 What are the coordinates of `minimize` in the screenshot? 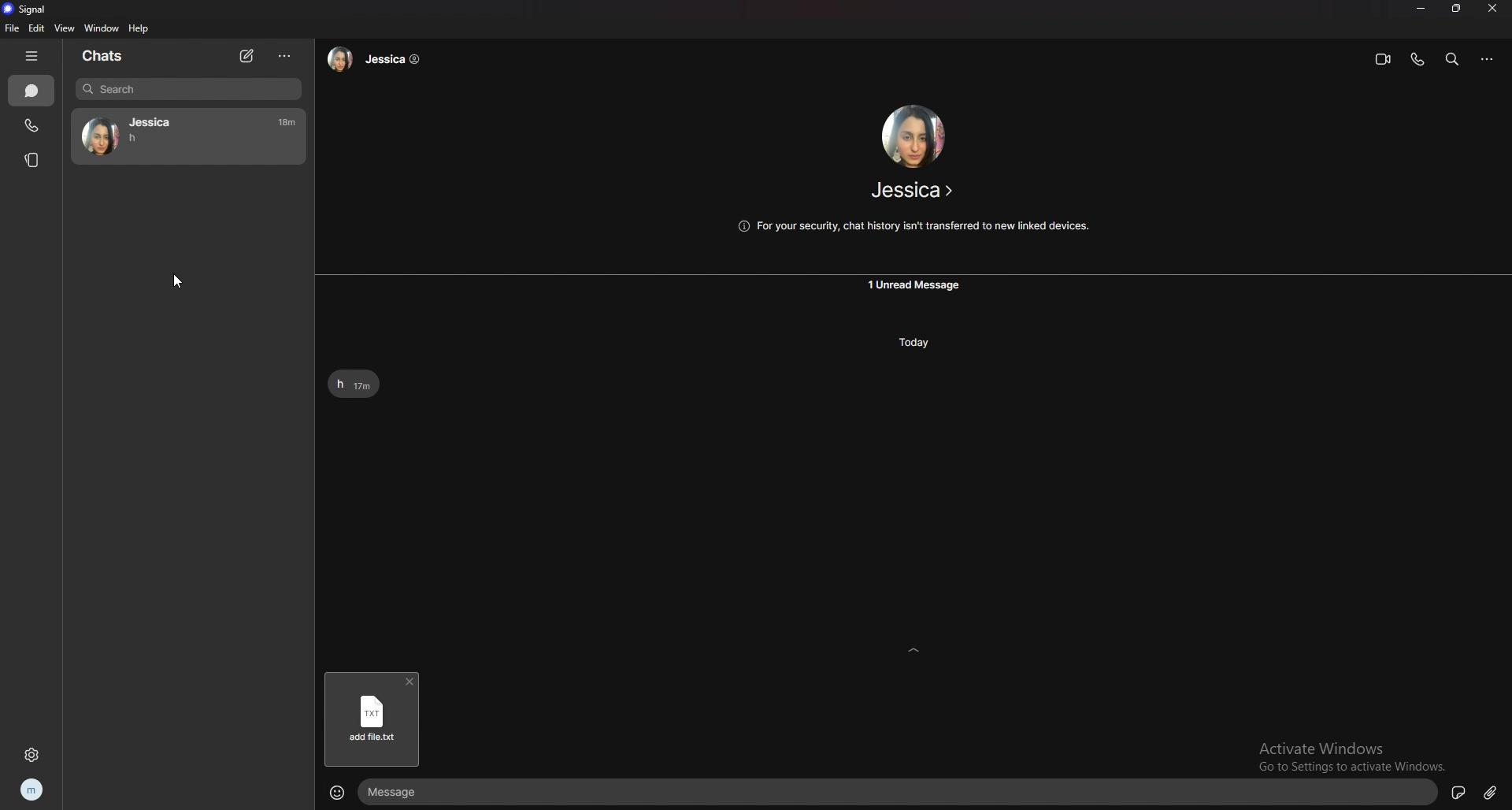 It's located at (1420, 9).